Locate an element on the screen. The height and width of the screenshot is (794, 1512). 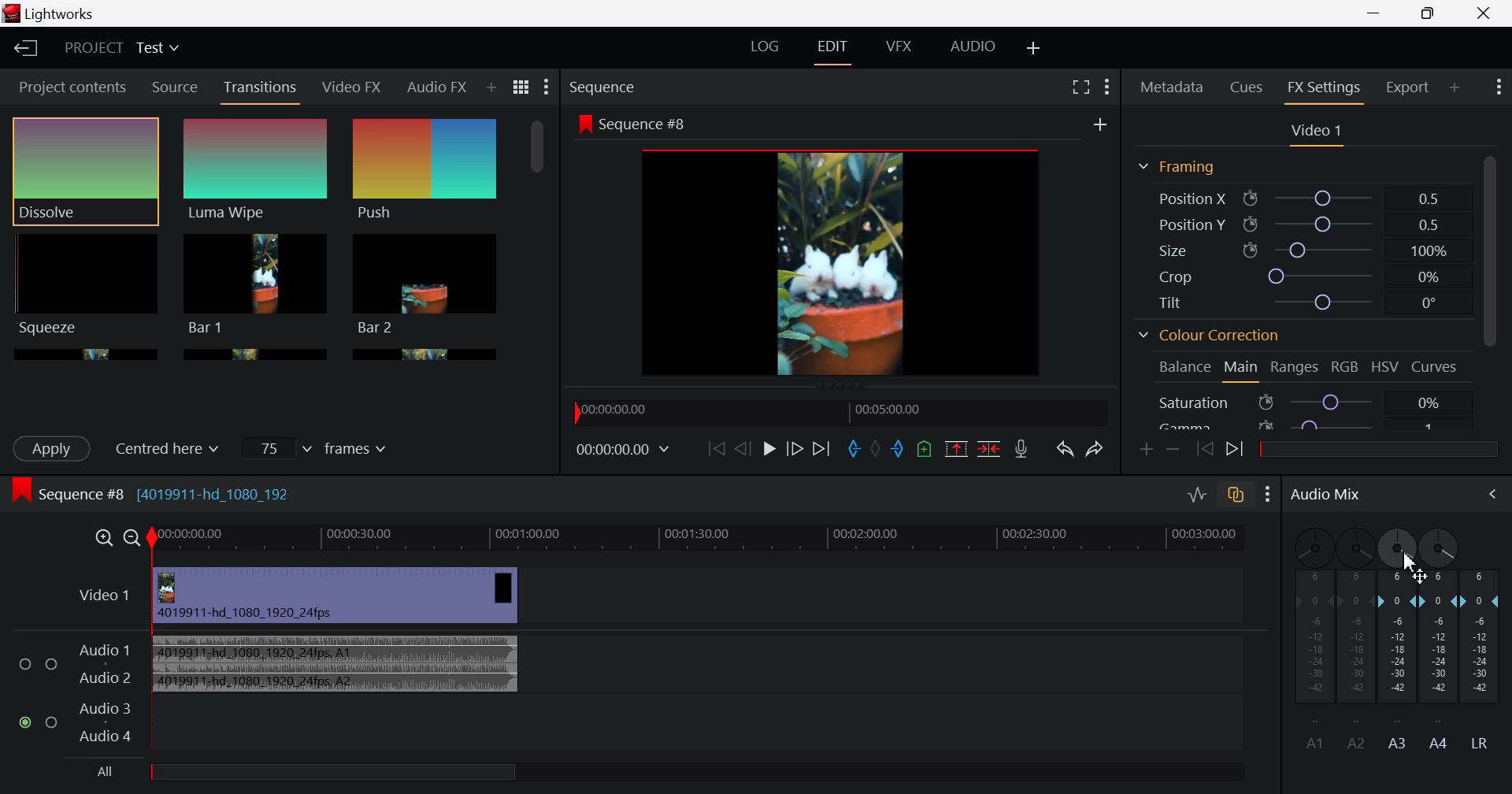
Video Input is located at coordinates (326, 595).